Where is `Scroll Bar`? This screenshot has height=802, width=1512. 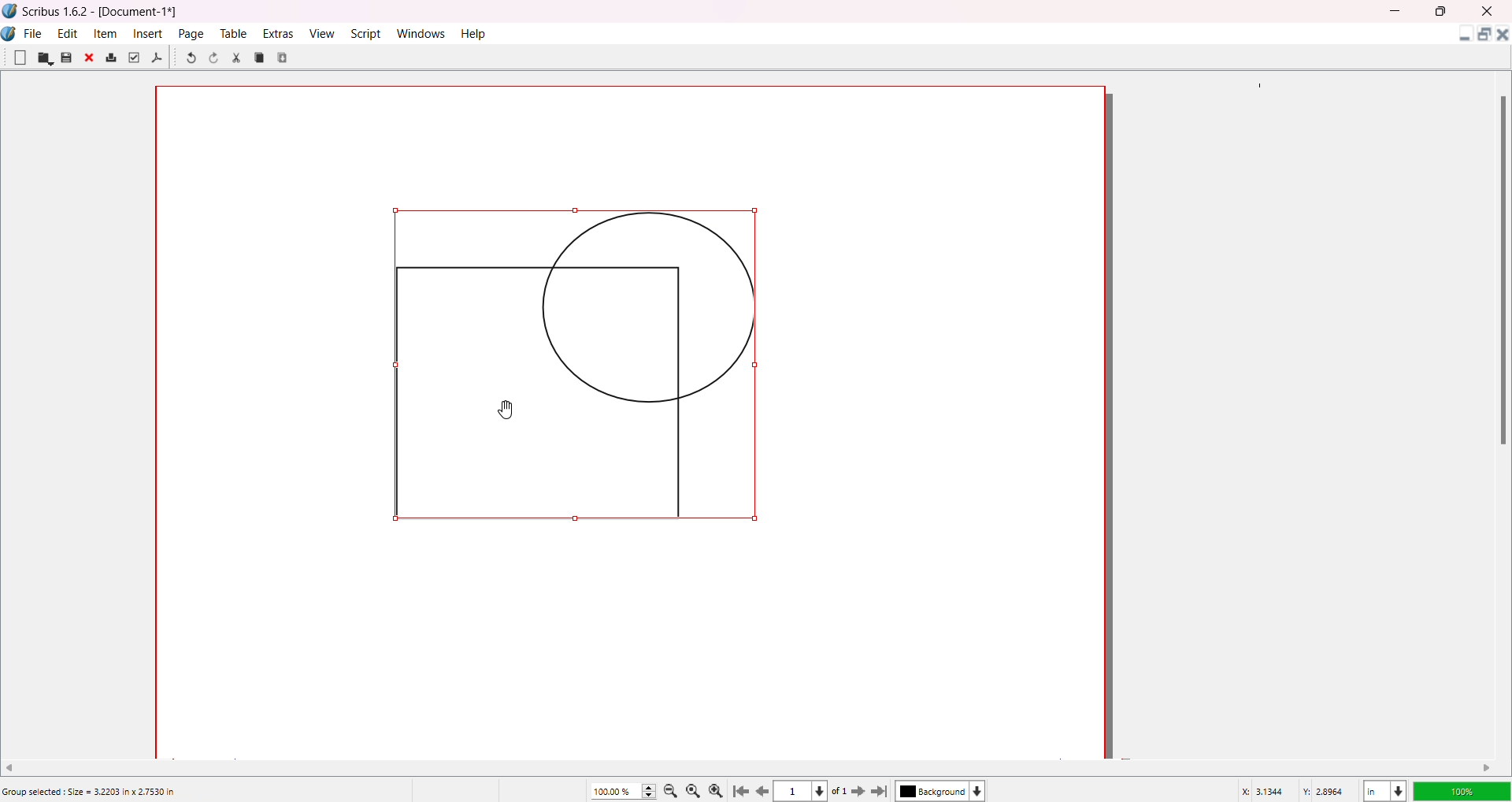 Scroll Bar is located at coordinates (1499, 269).